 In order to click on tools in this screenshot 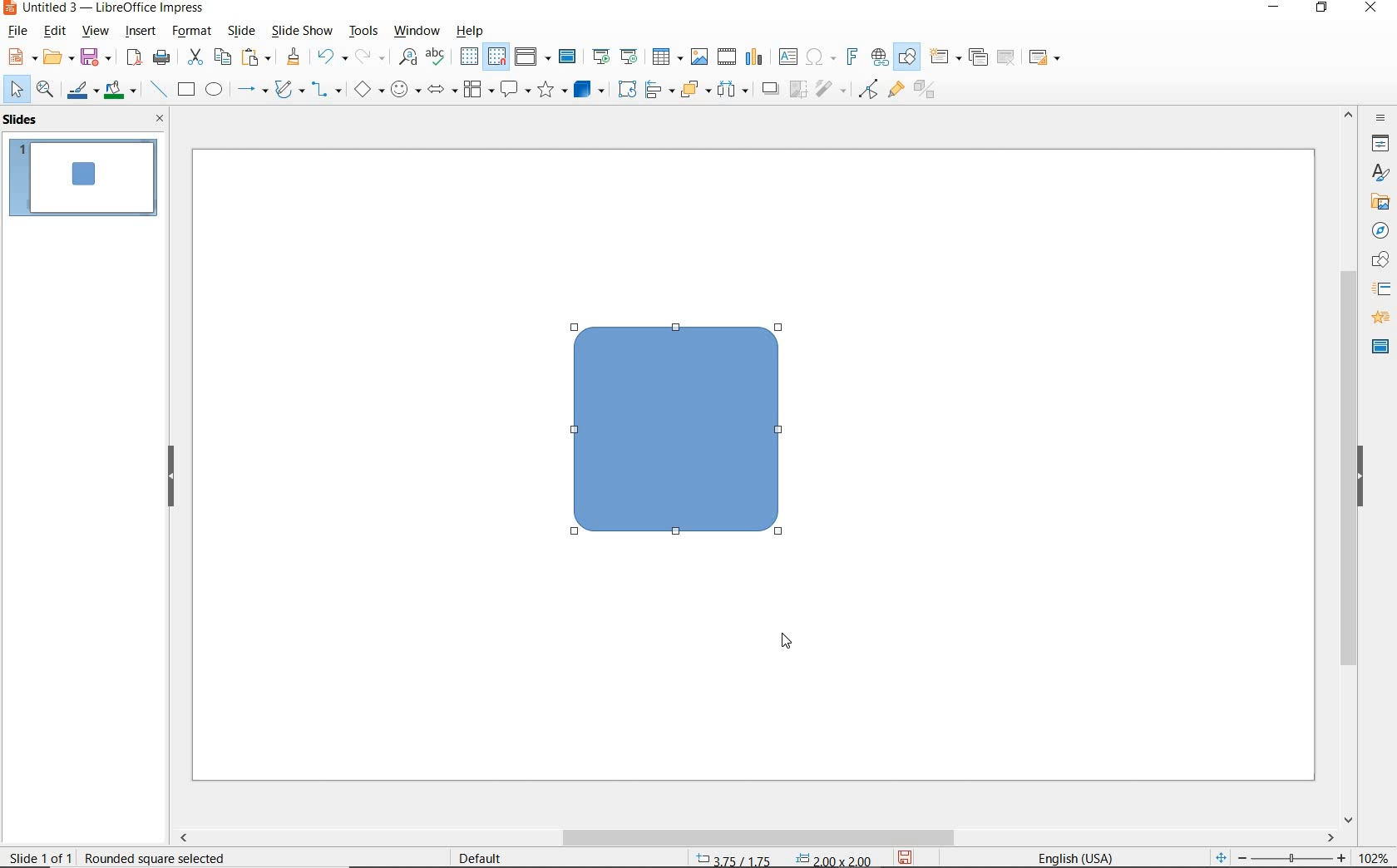, I will do `click(365, 32)`.